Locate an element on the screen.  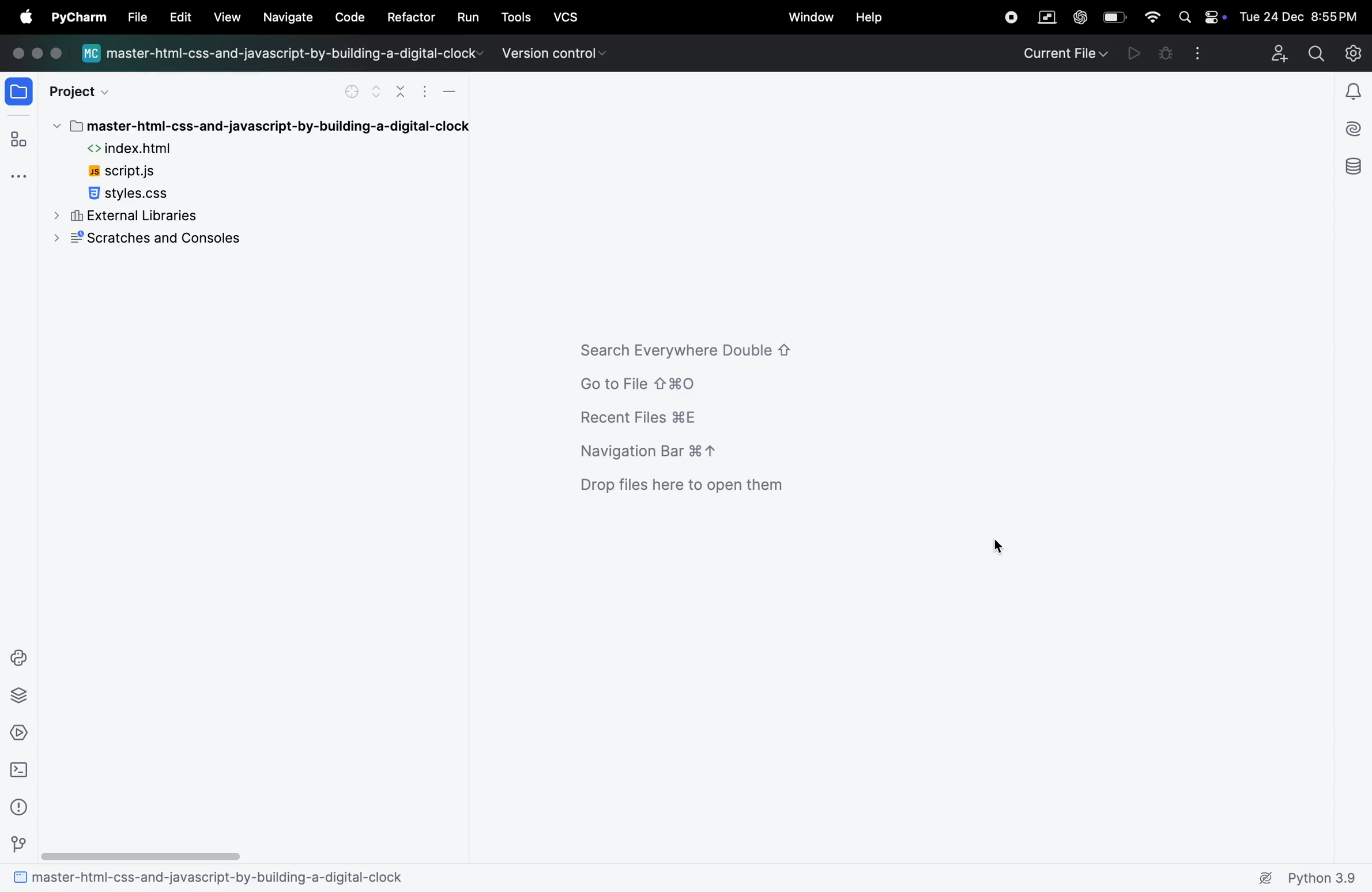
run and debug is located at coordinates (1134, 53).